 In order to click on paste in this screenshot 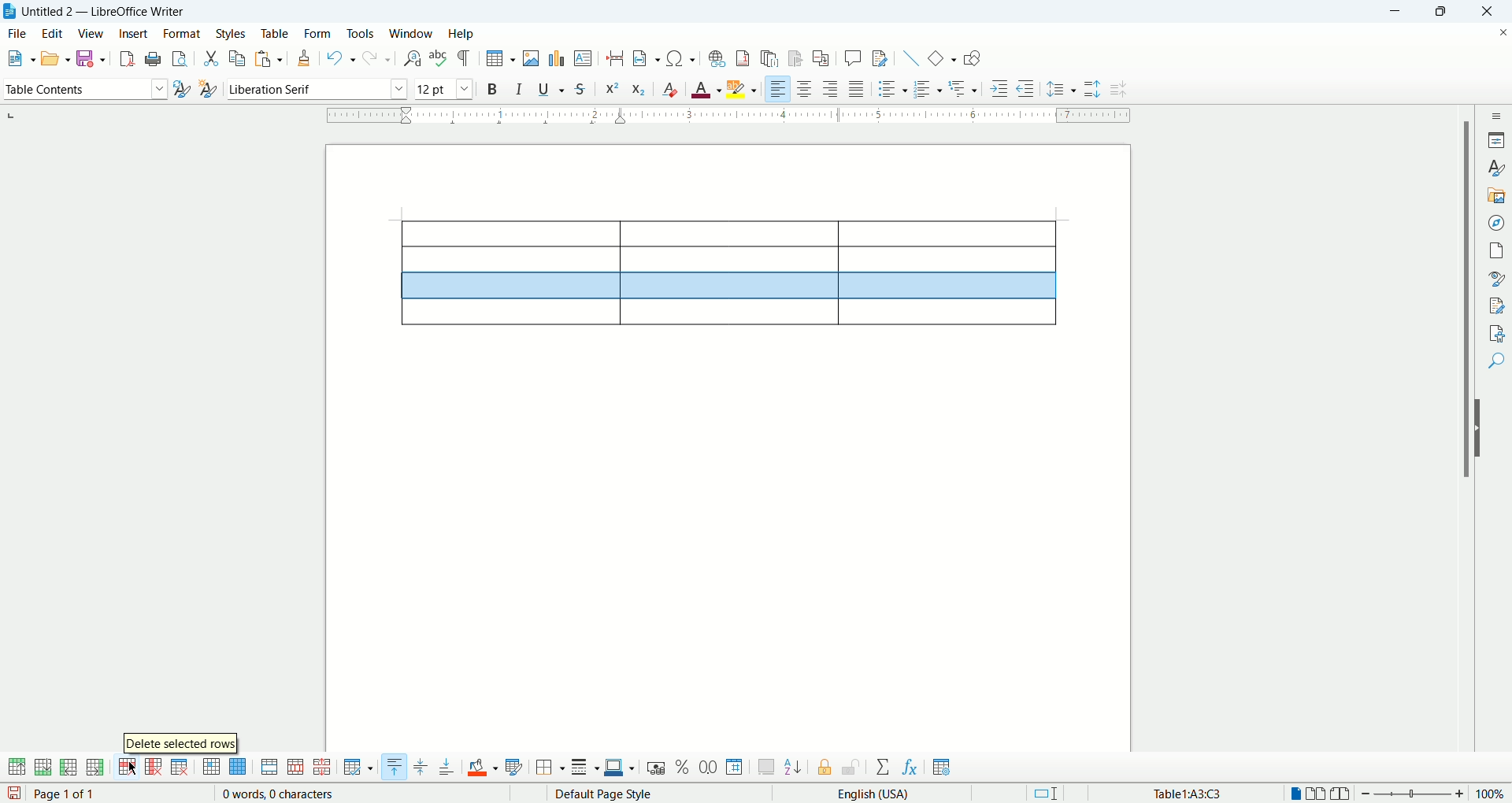, I will do `click(269, 61)`.